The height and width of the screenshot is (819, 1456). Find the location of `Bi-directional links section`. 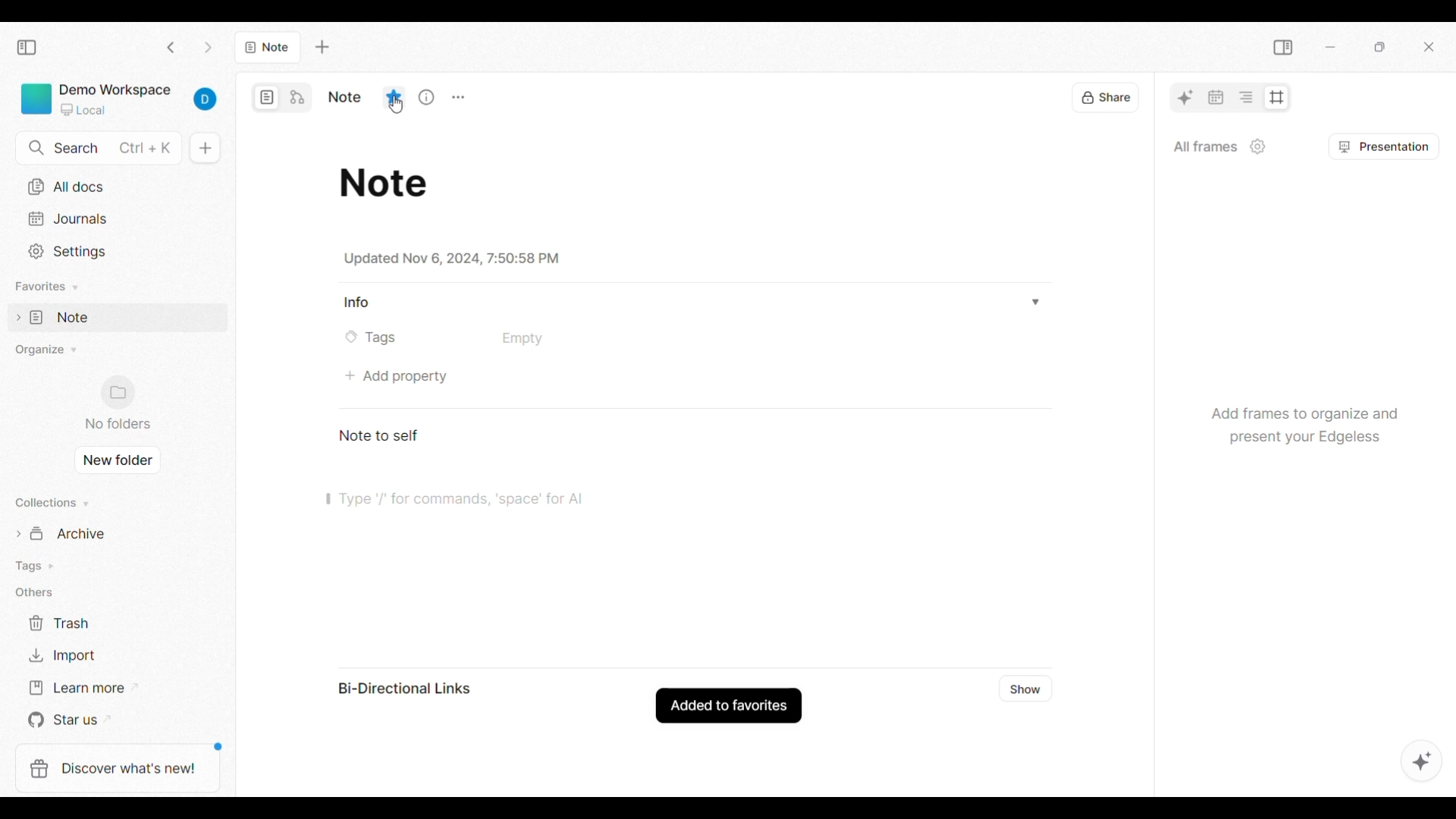

Bi-directional links section is located at coordinates (419, 689).